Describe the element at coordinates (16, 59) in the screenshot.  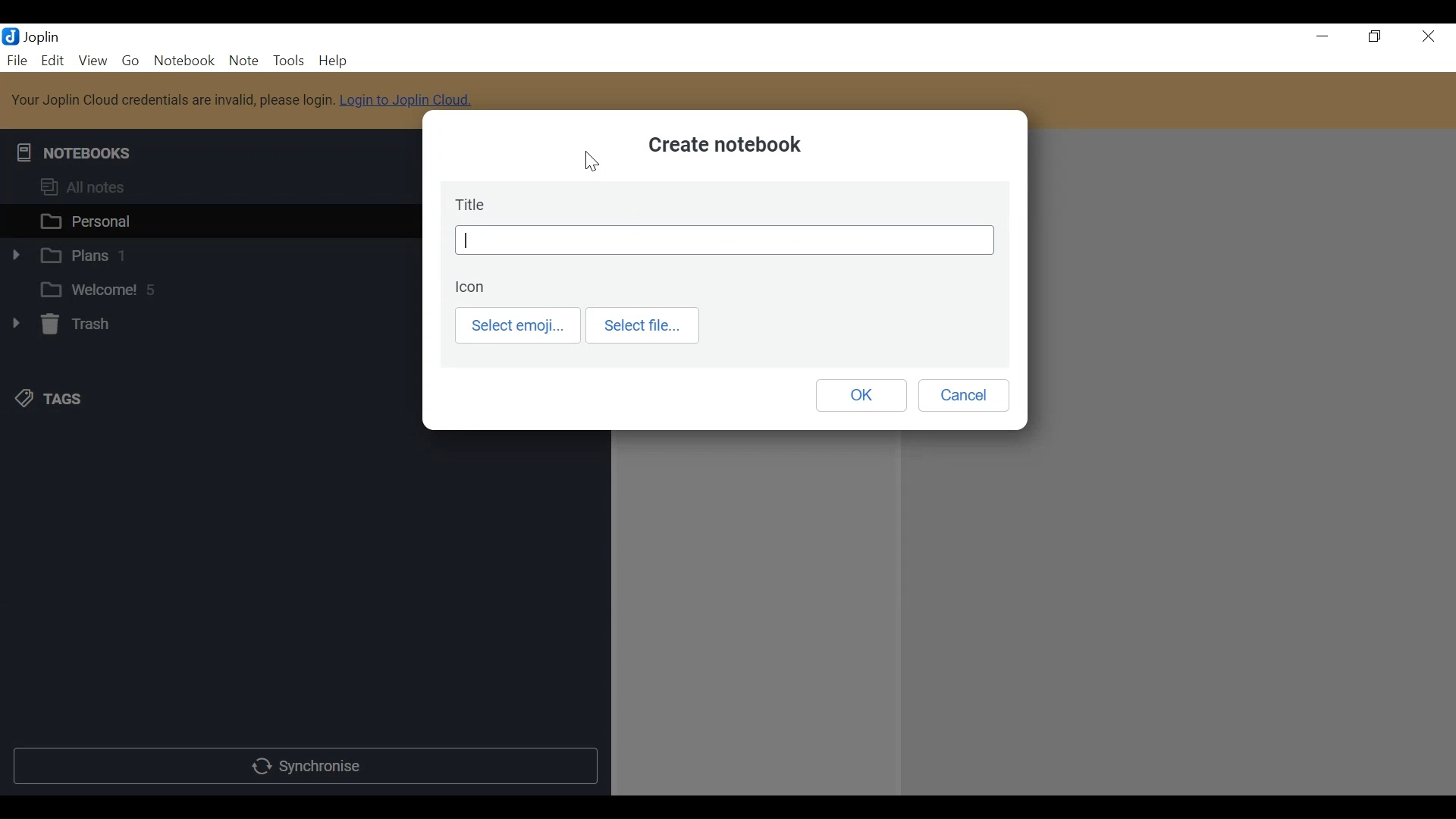
I see `File` at that location.